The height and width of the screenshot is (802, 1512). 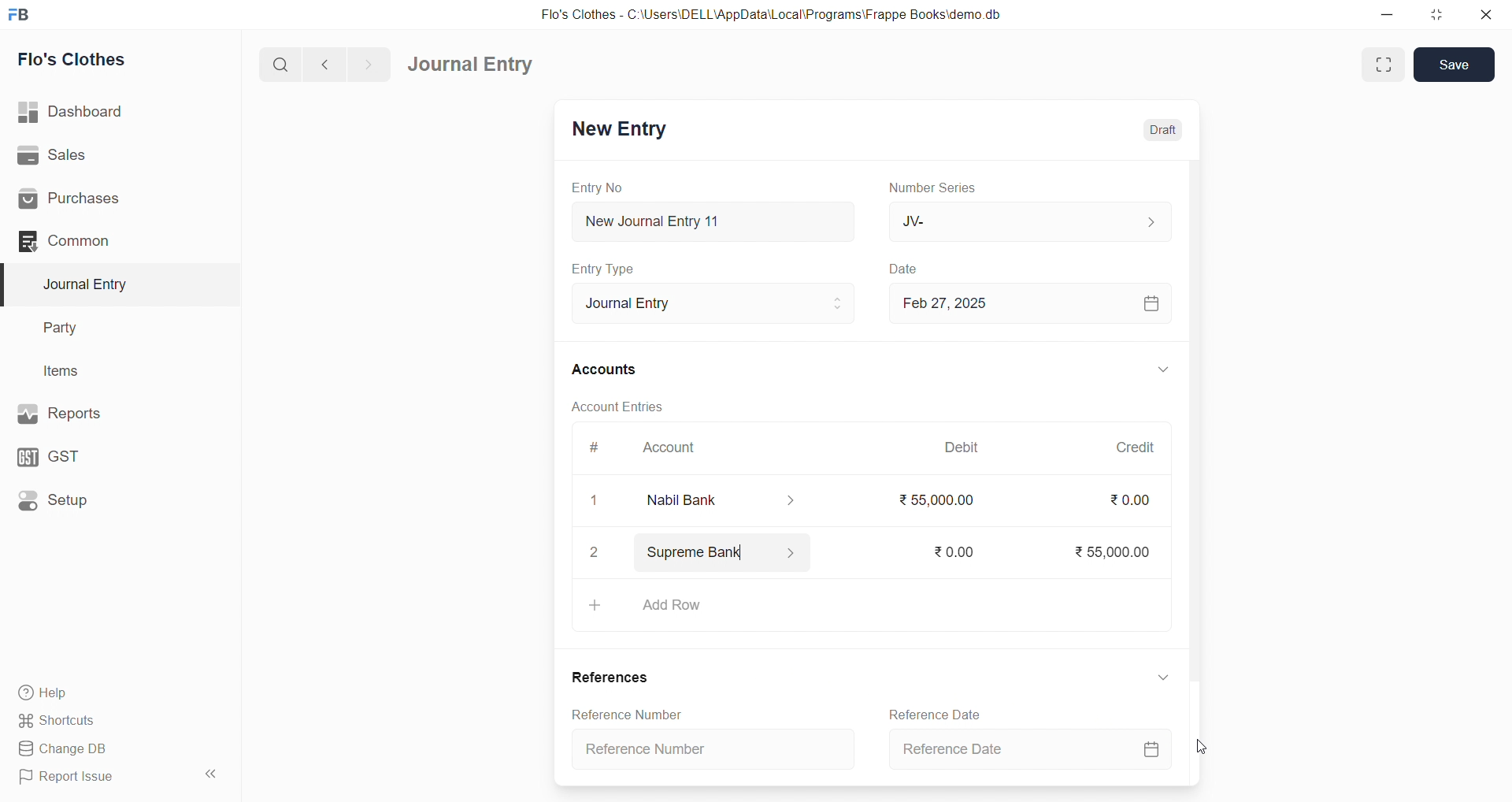 What do you see at coordinates (70, 326) in the screenshot?
I see `Party` at bounding box center [70, 326].